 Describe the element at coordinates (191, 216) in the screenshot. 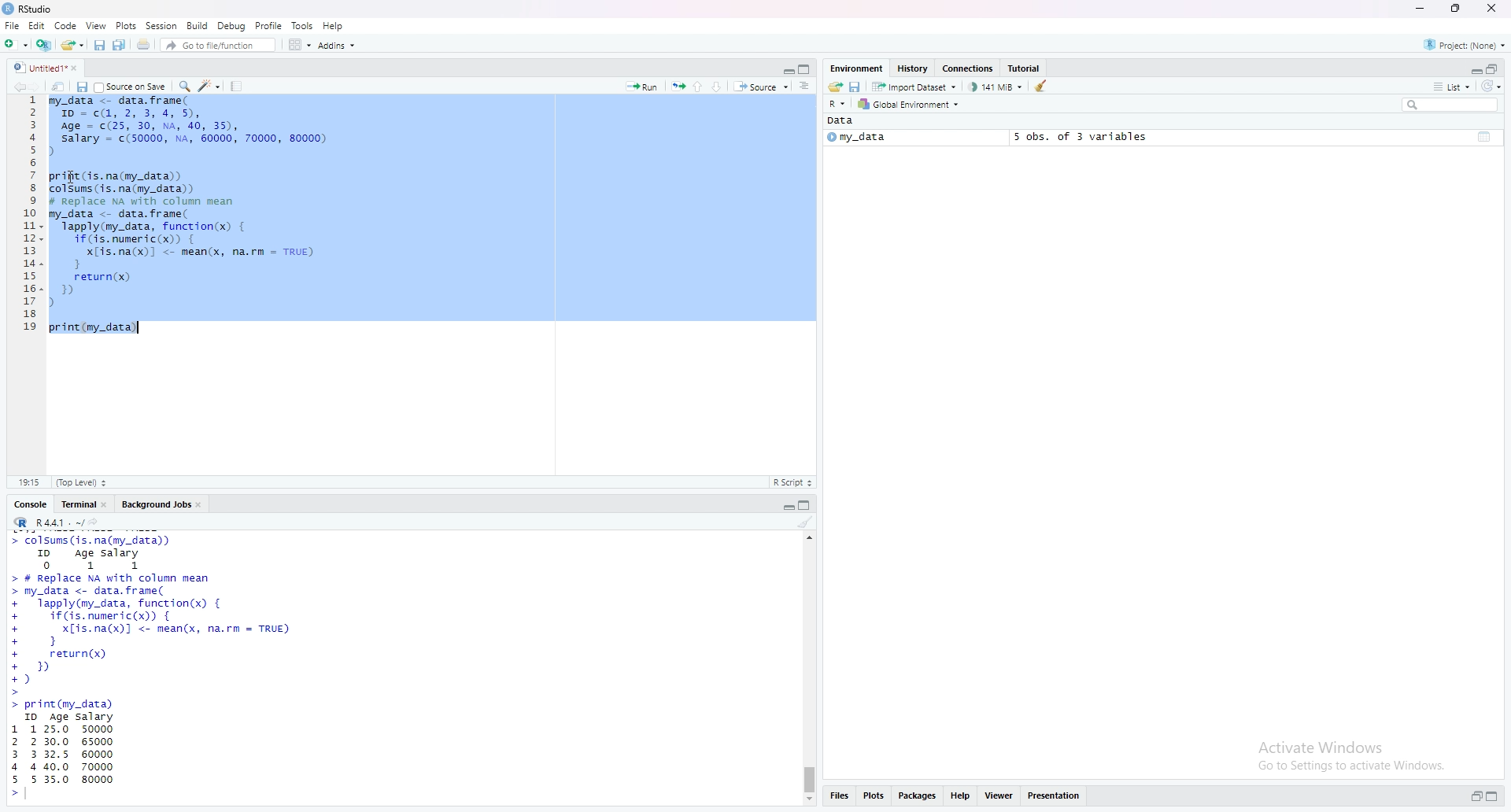

I see `data frame code` at that location.